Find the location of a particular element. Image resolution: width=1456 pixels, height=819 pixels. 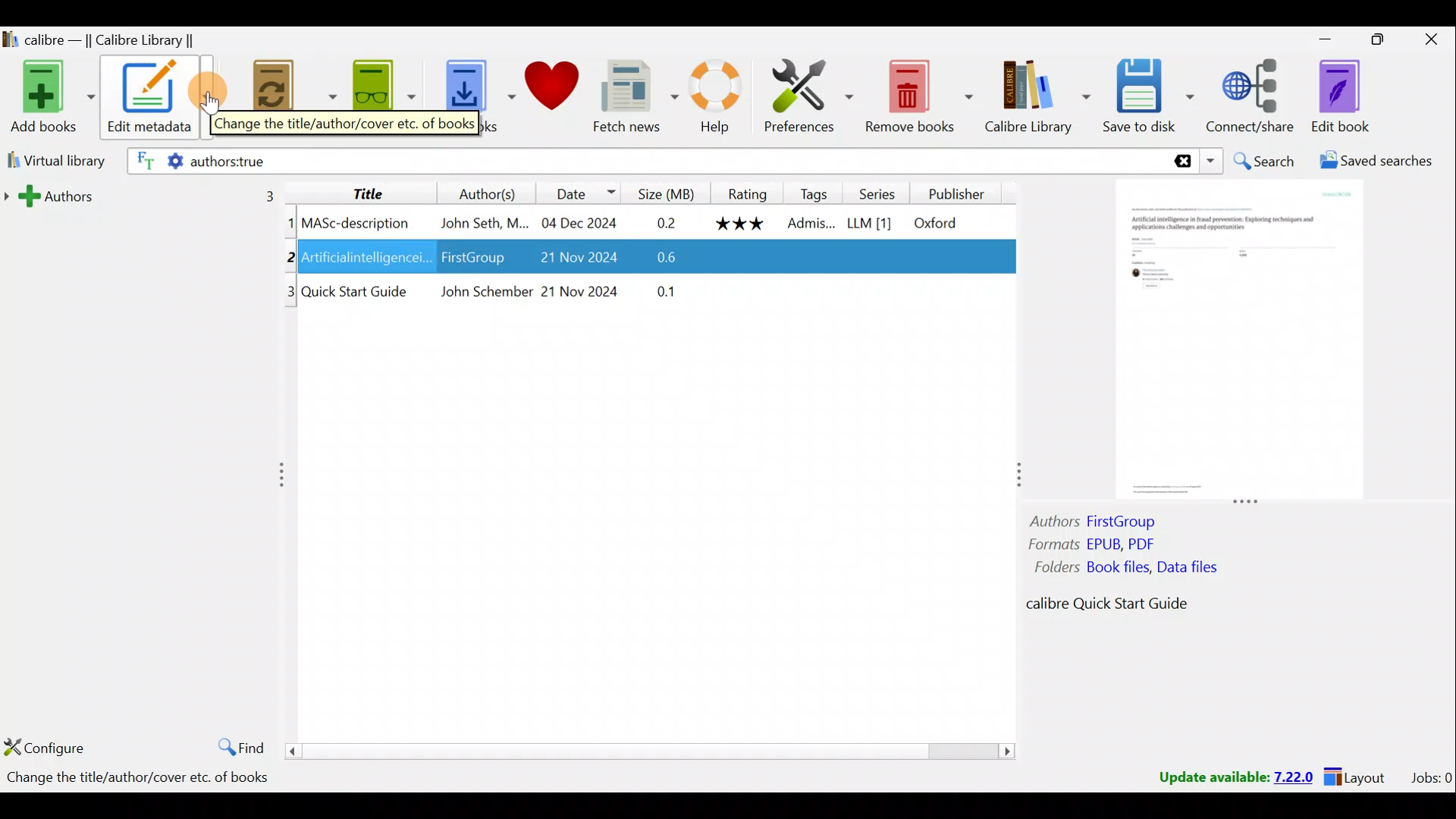

Remove books is located at coordinates (917, 97).